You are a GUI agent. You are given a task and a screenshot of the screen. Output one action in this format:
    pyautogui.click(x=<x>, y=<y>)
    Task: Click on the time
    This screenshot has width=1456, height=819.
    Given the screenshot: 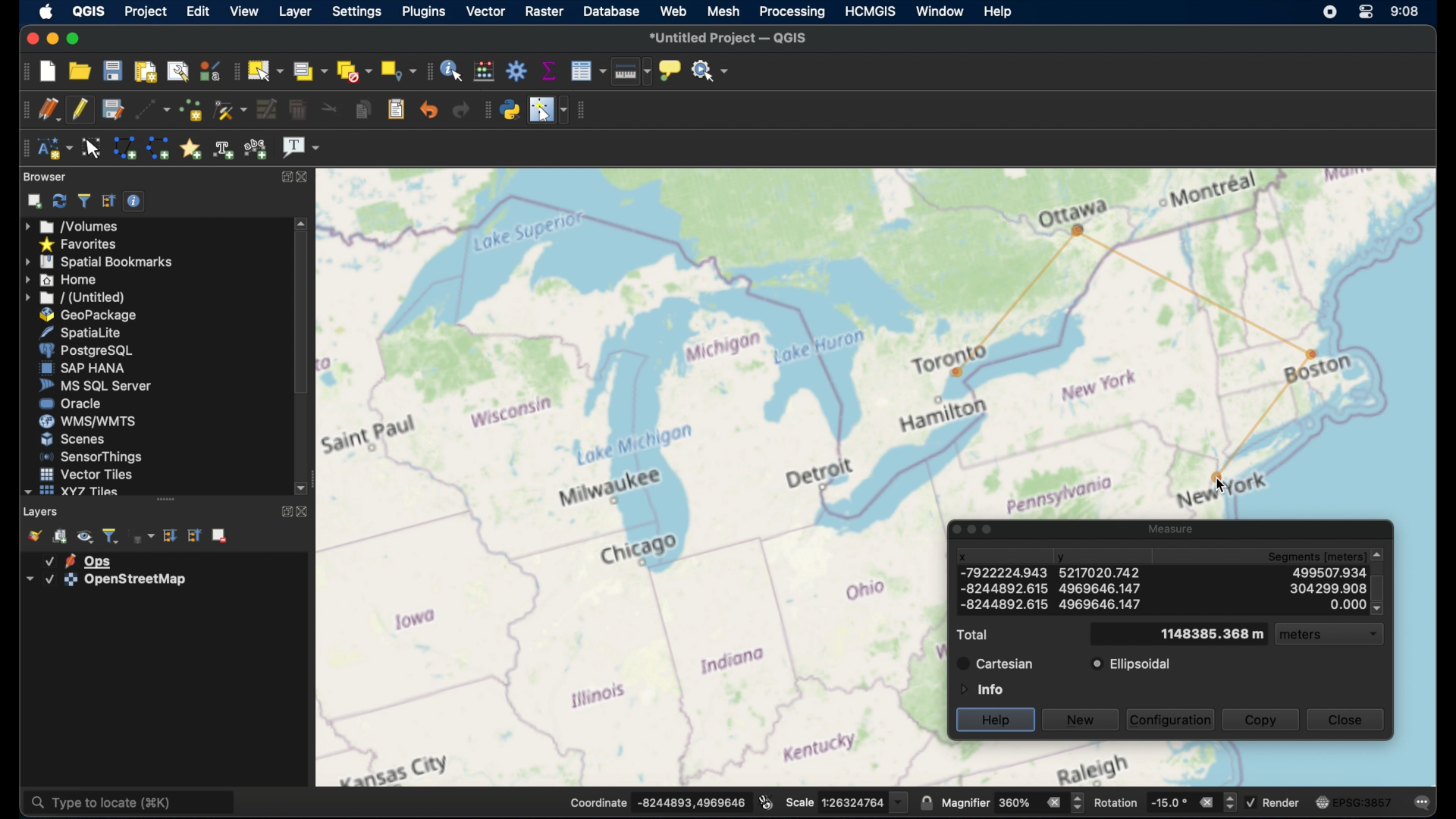 What is the action you would take?
    pyautogui.click(x=1405, y=11)
    